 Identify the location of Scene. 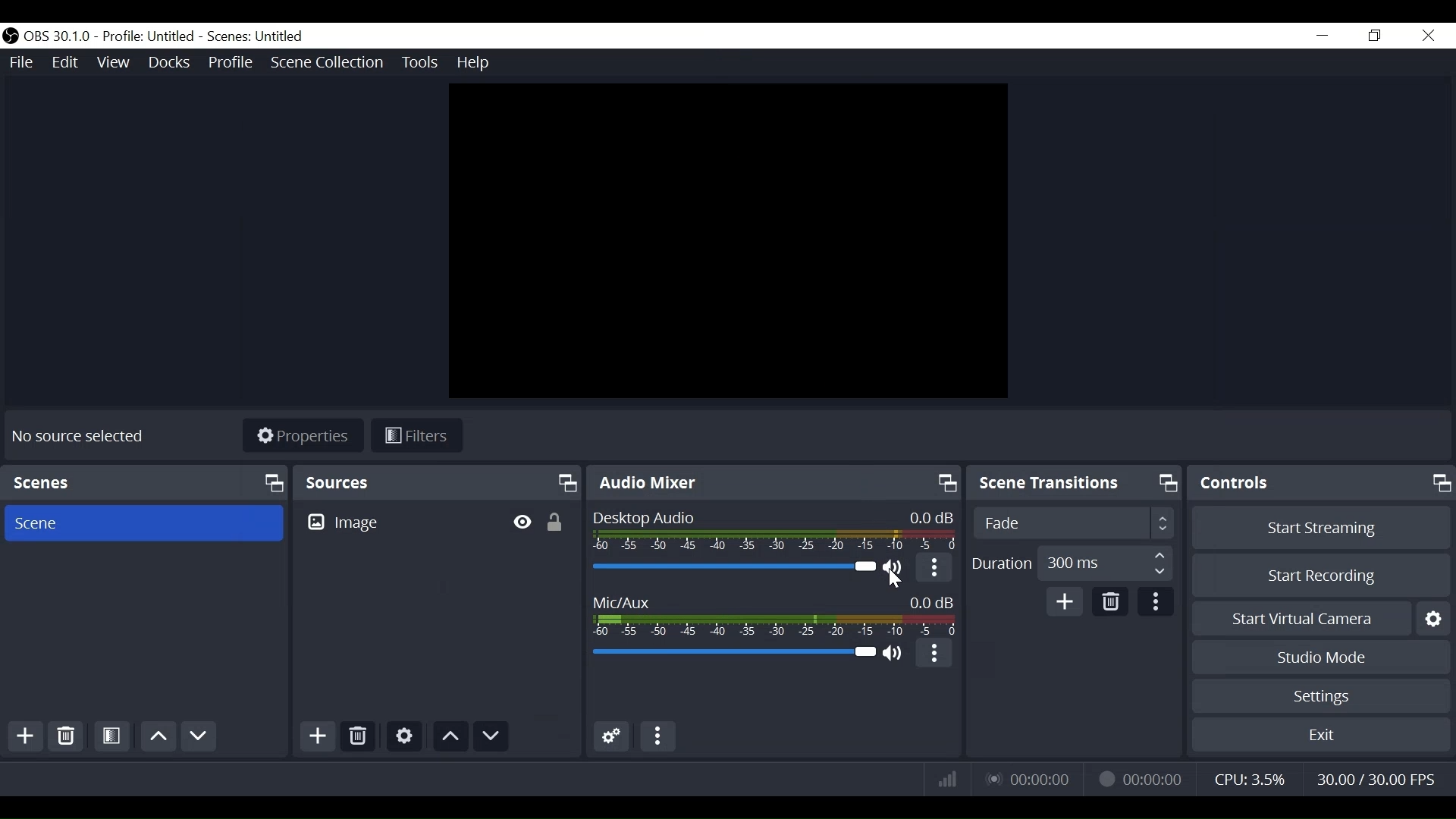
(146, 482).